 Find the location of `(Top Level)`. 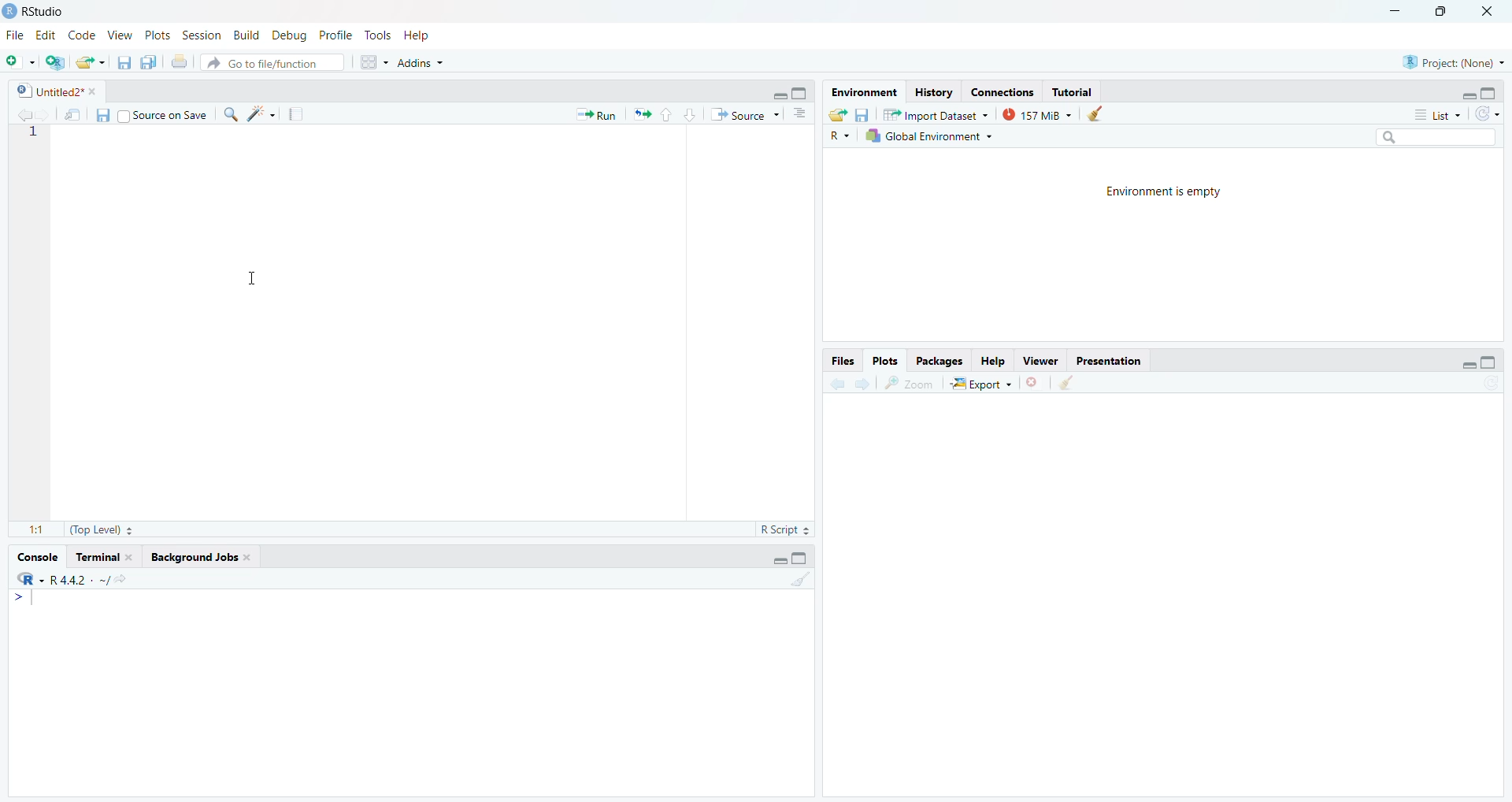

(Top Level) is located at coordinates (101, 529).